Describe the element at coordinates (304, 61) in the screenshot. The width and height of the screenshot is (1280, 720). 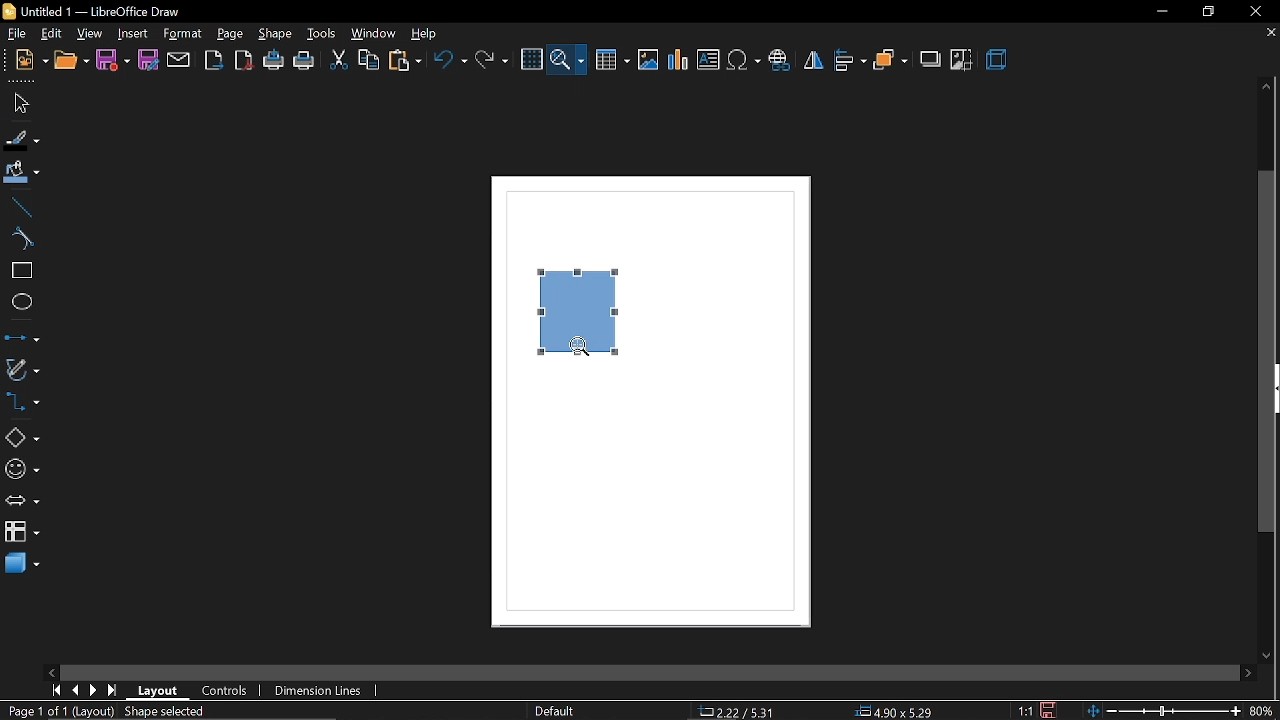
I see `print` at that location.